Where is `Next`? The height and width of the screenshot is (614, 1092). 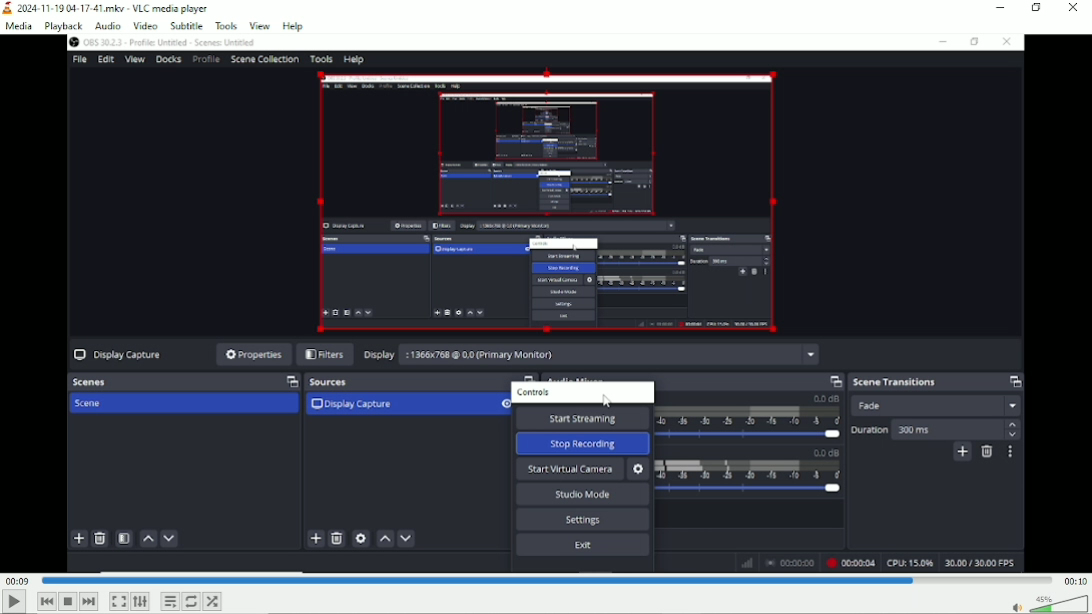
Next is located at coordinates (88, 602).